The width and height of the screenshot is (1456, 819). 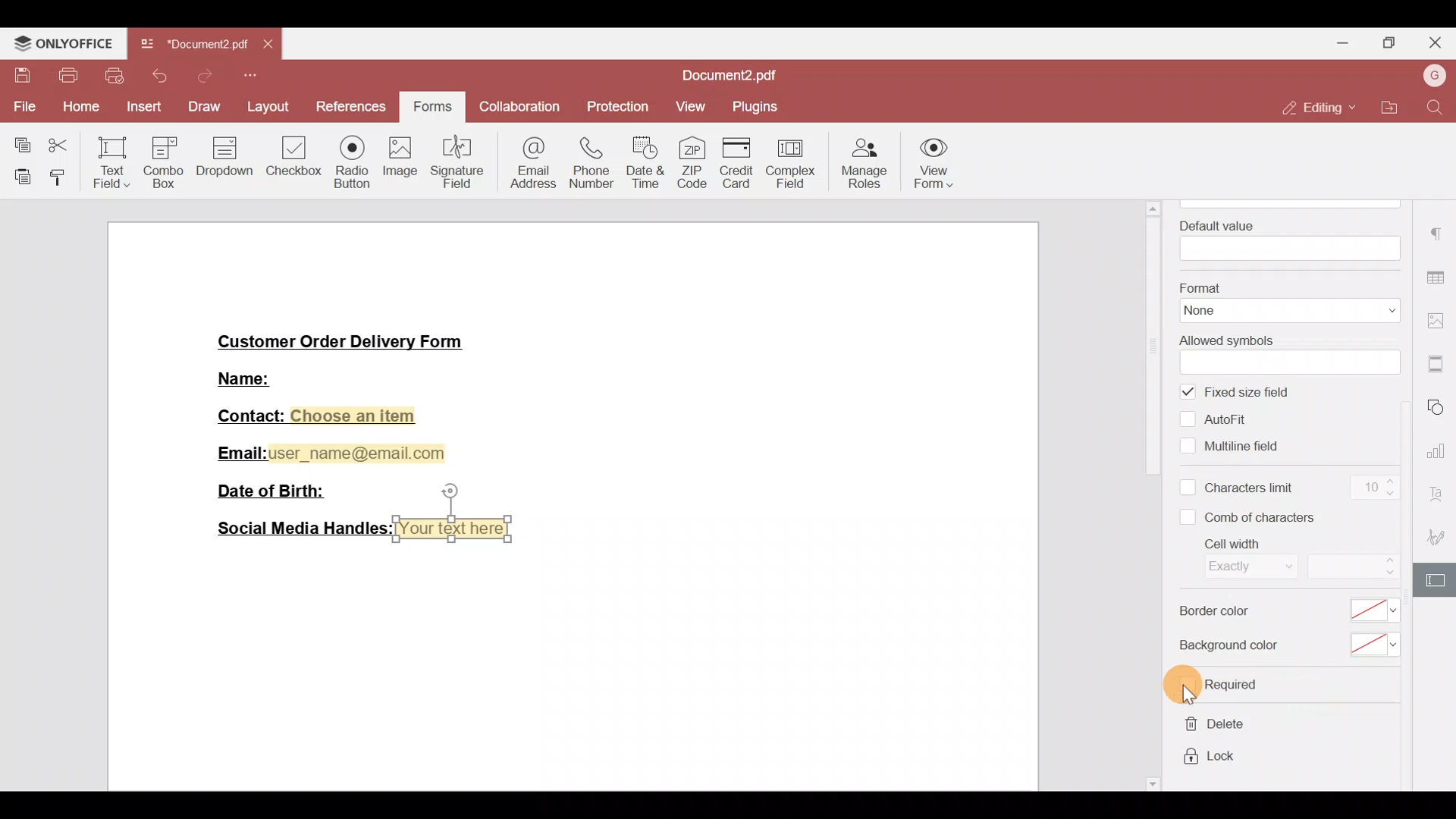 What do you see at coordinates (17, 142) in the screenshot?
I see `Copy` at bounding box center [17, 142].